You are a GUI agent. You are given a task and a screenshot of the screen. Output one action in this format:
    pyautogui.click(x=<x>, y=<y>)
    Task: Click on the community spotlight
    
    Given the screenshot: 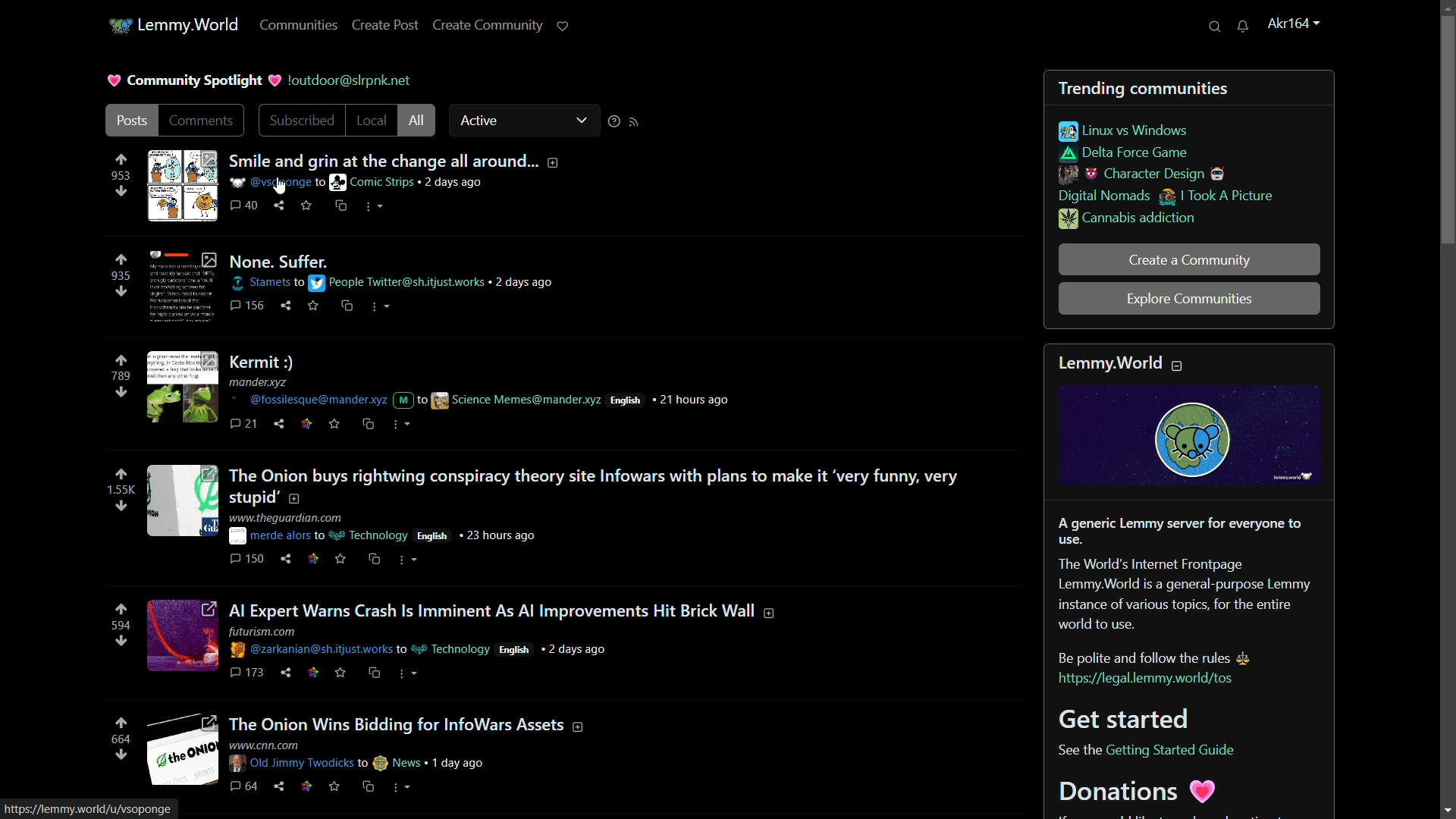 What is the action you would take?
    pyautogui.click(x=194, y=80)
    